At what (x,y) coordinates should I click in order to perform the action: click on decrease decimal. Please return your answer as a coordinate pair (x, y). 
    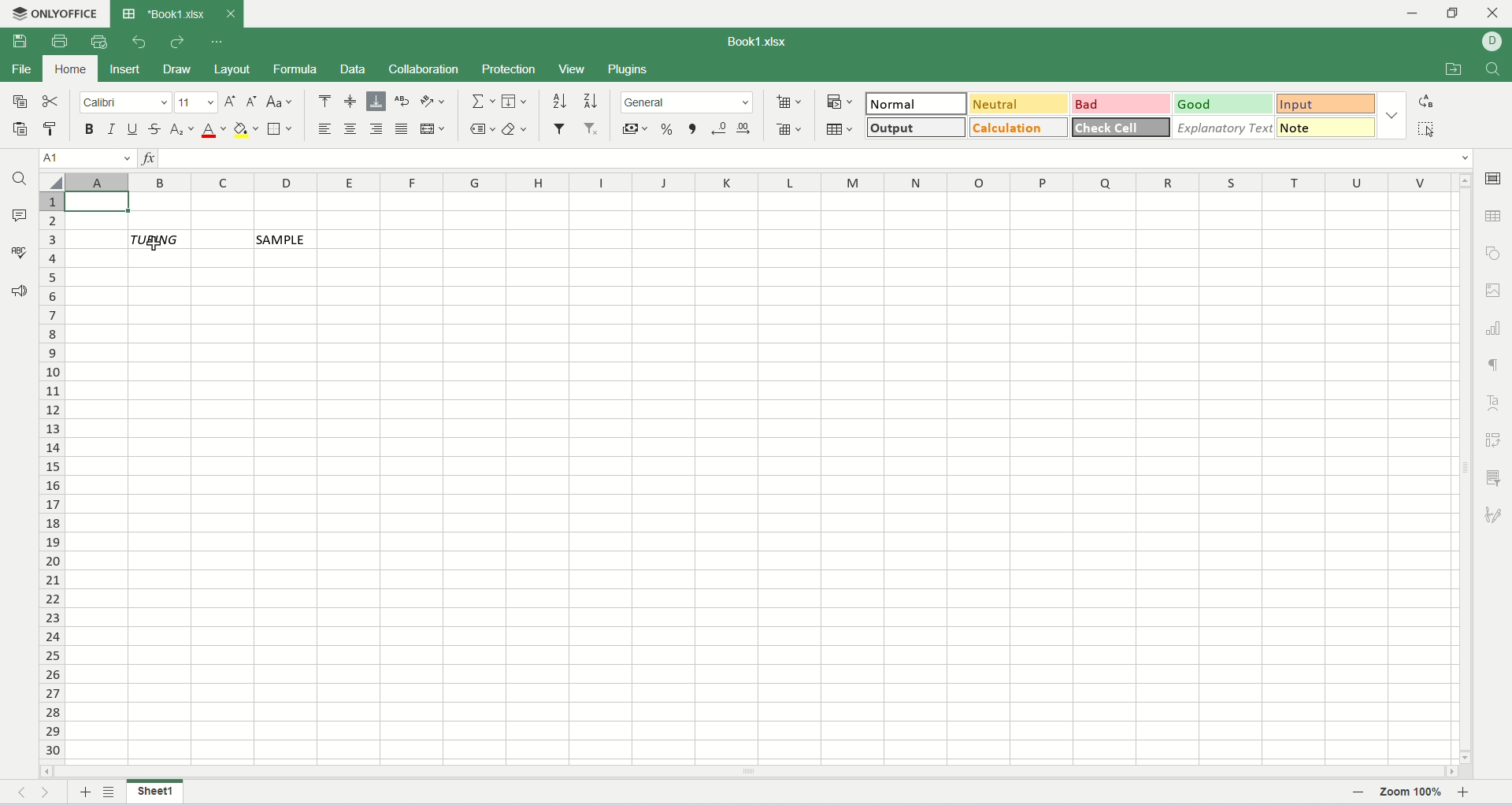
    Looking at the image, I should click on (720, 130).